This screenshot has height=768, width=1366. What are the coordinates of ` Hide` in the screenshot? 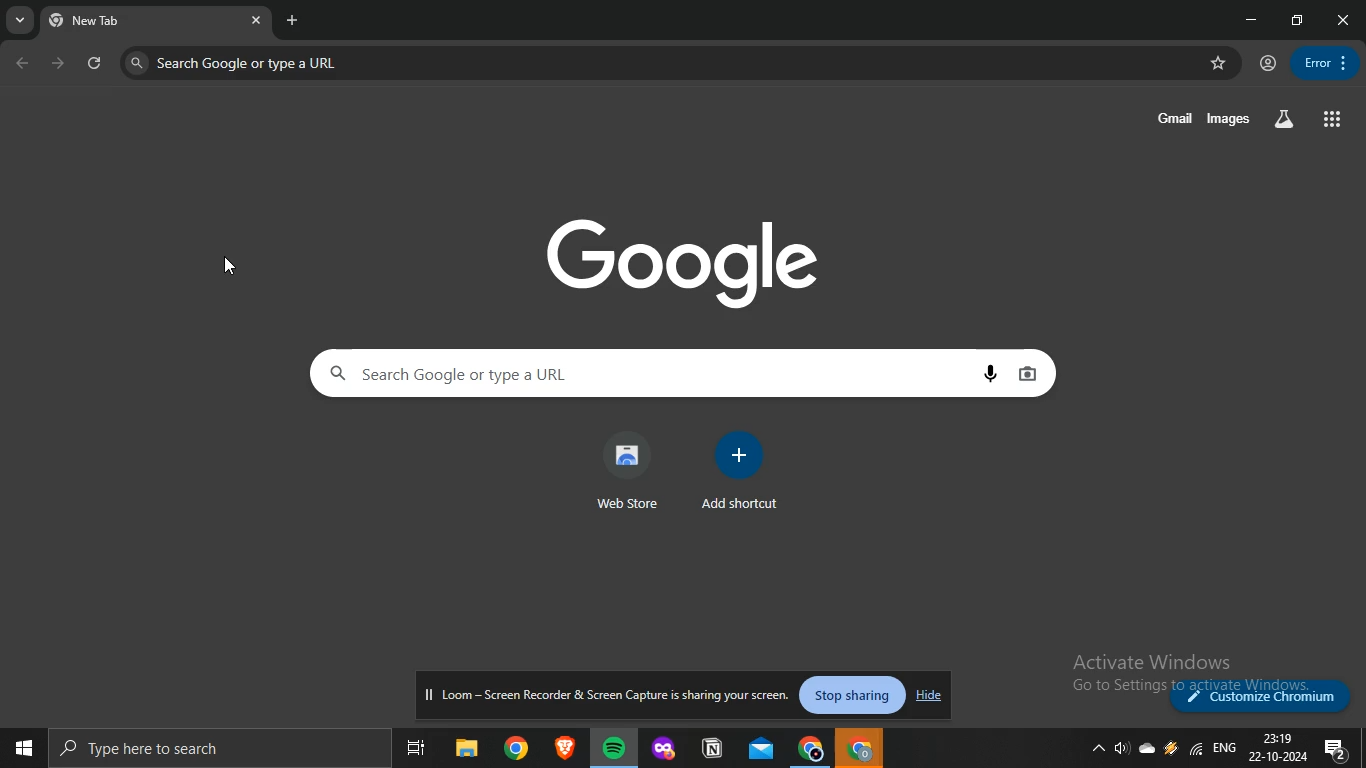 It's located at (926, 697).